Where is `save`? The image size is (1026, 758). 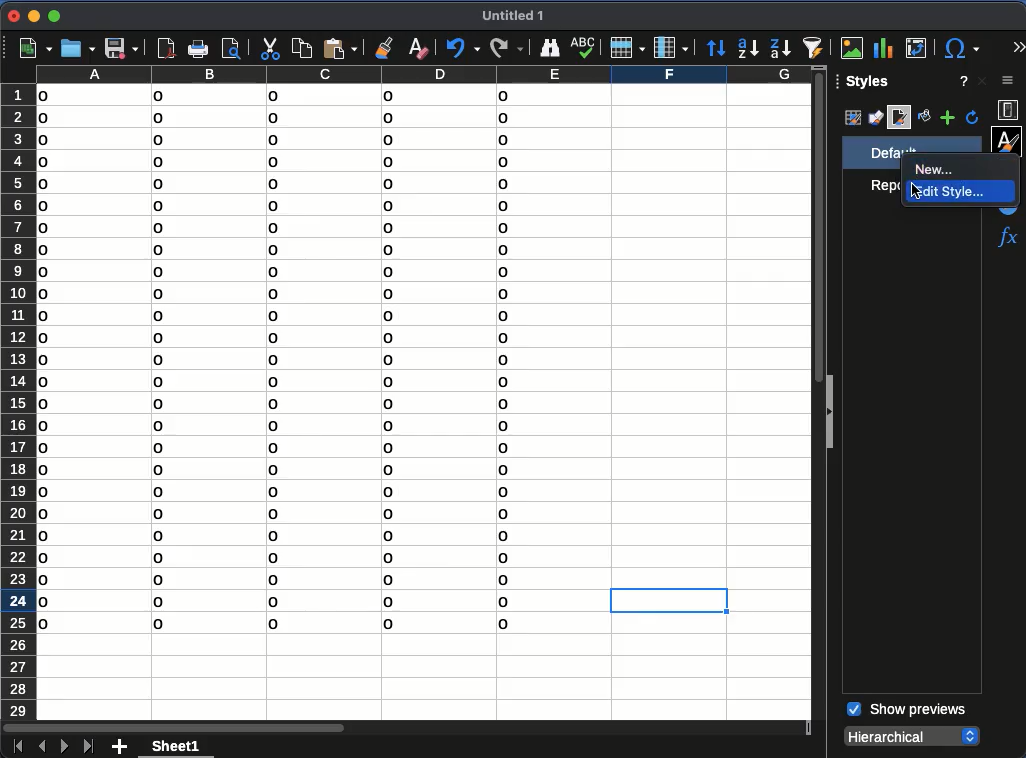 save is located at coordinates (120, 49).